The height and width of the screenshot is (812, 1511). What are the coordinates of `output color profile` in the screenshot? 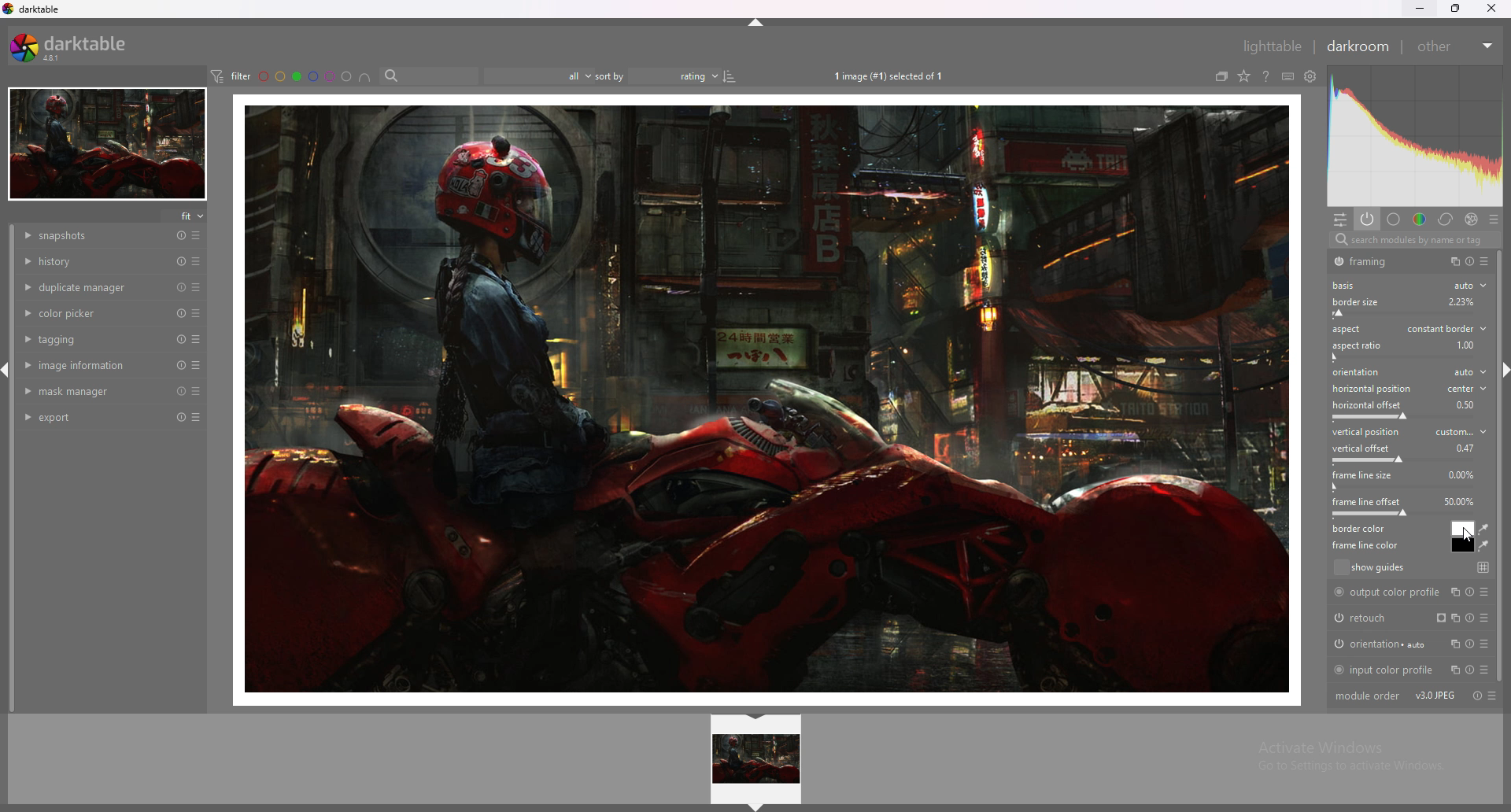 It's located at (1407, 592).